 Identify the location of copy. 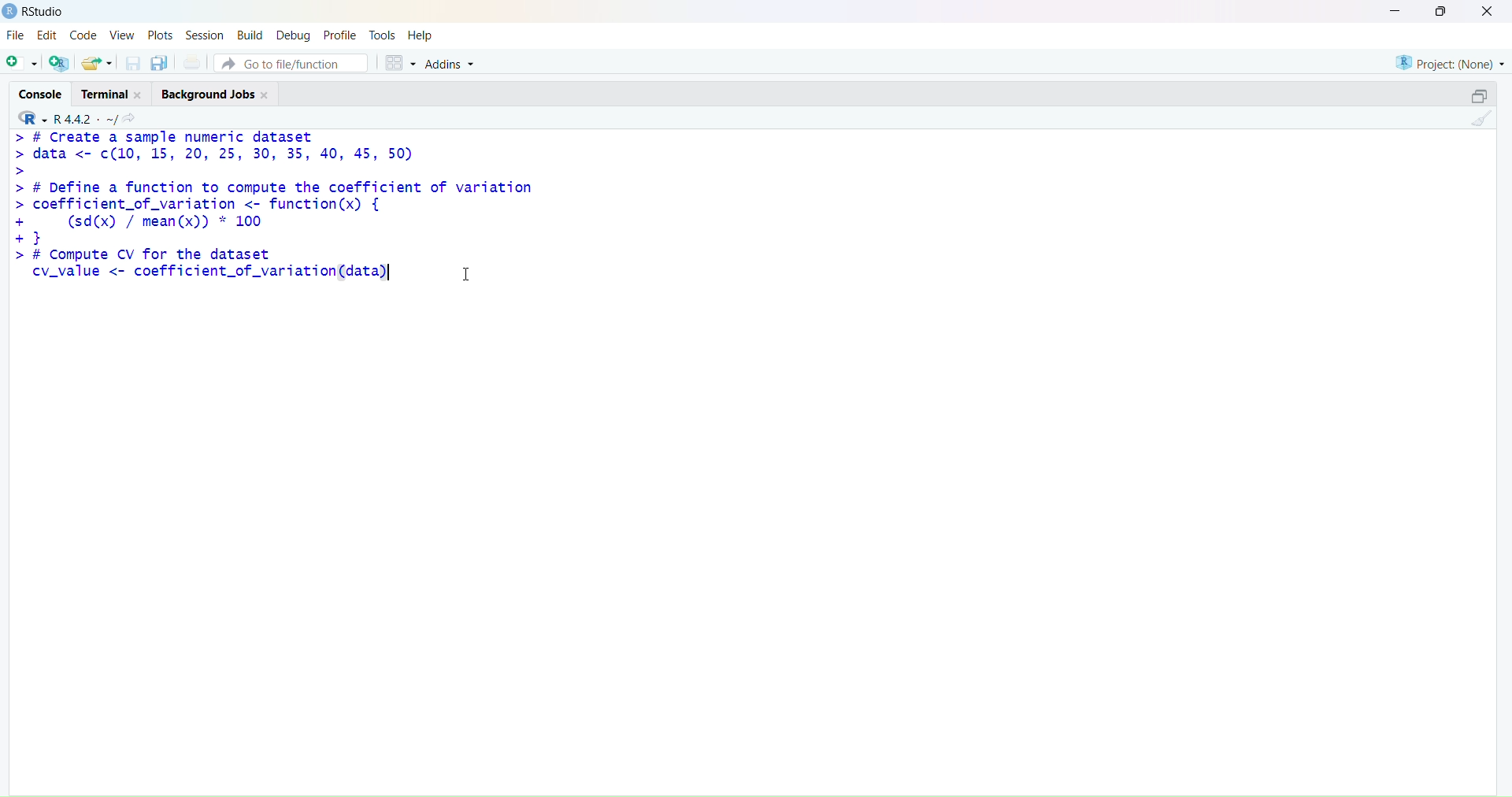
(159, 63).